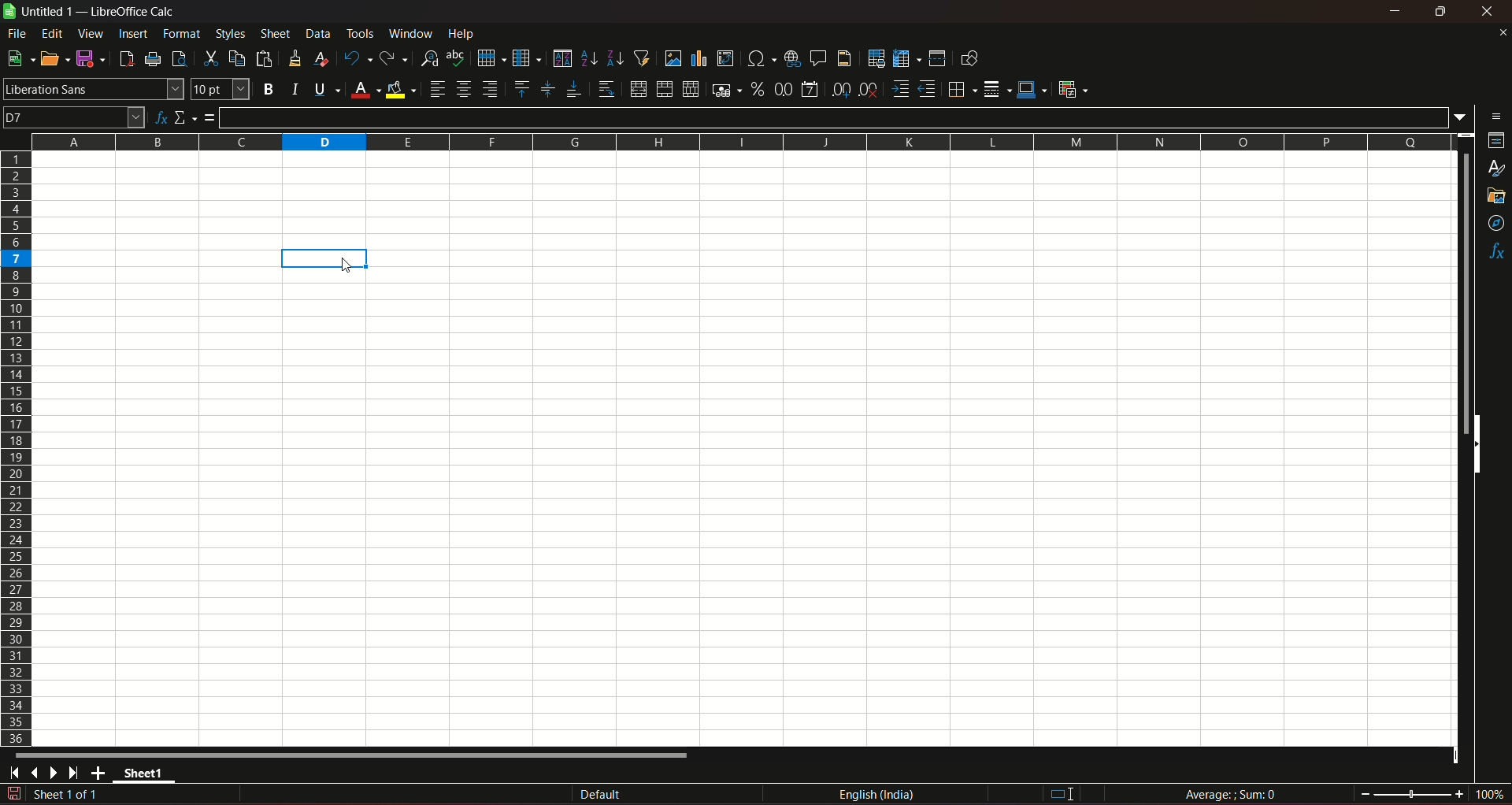  I want to click on insert or edit pivot table, so click(726, 57).